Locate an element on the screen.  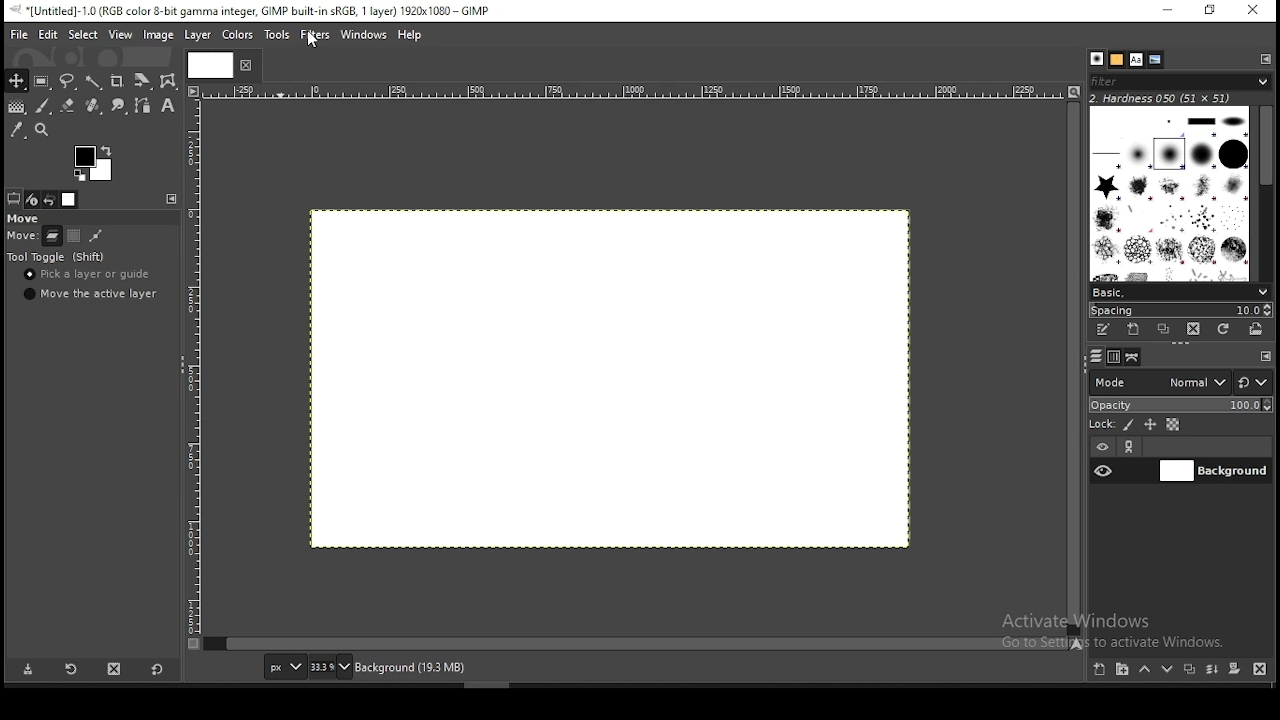
zoom status is located at coordinates (331, 667).